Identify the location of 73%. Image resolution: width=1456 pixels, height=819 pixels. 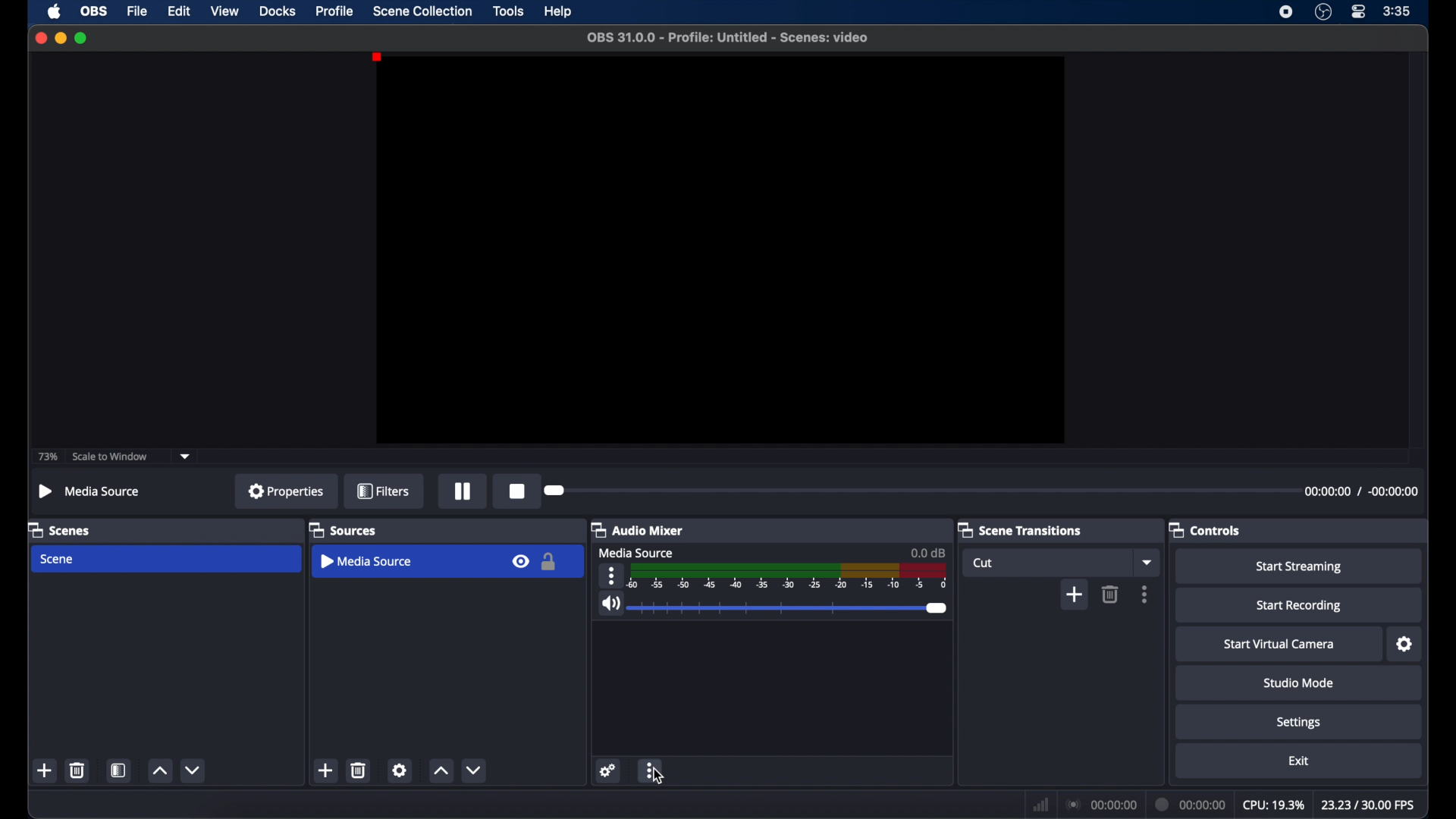
(47, 457).